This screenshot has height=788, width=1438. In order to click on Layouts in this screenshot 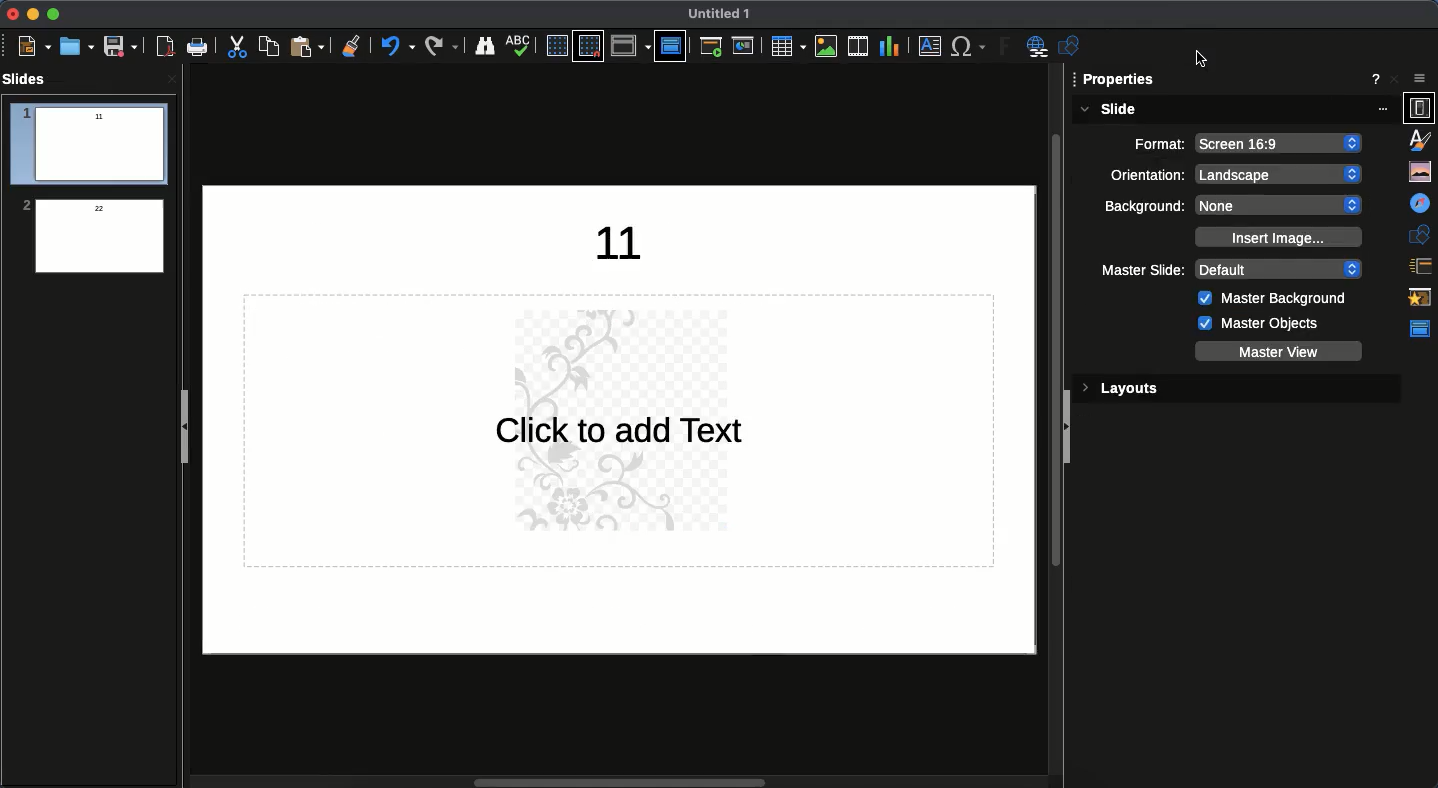, I will do `click(1239, 389)`.